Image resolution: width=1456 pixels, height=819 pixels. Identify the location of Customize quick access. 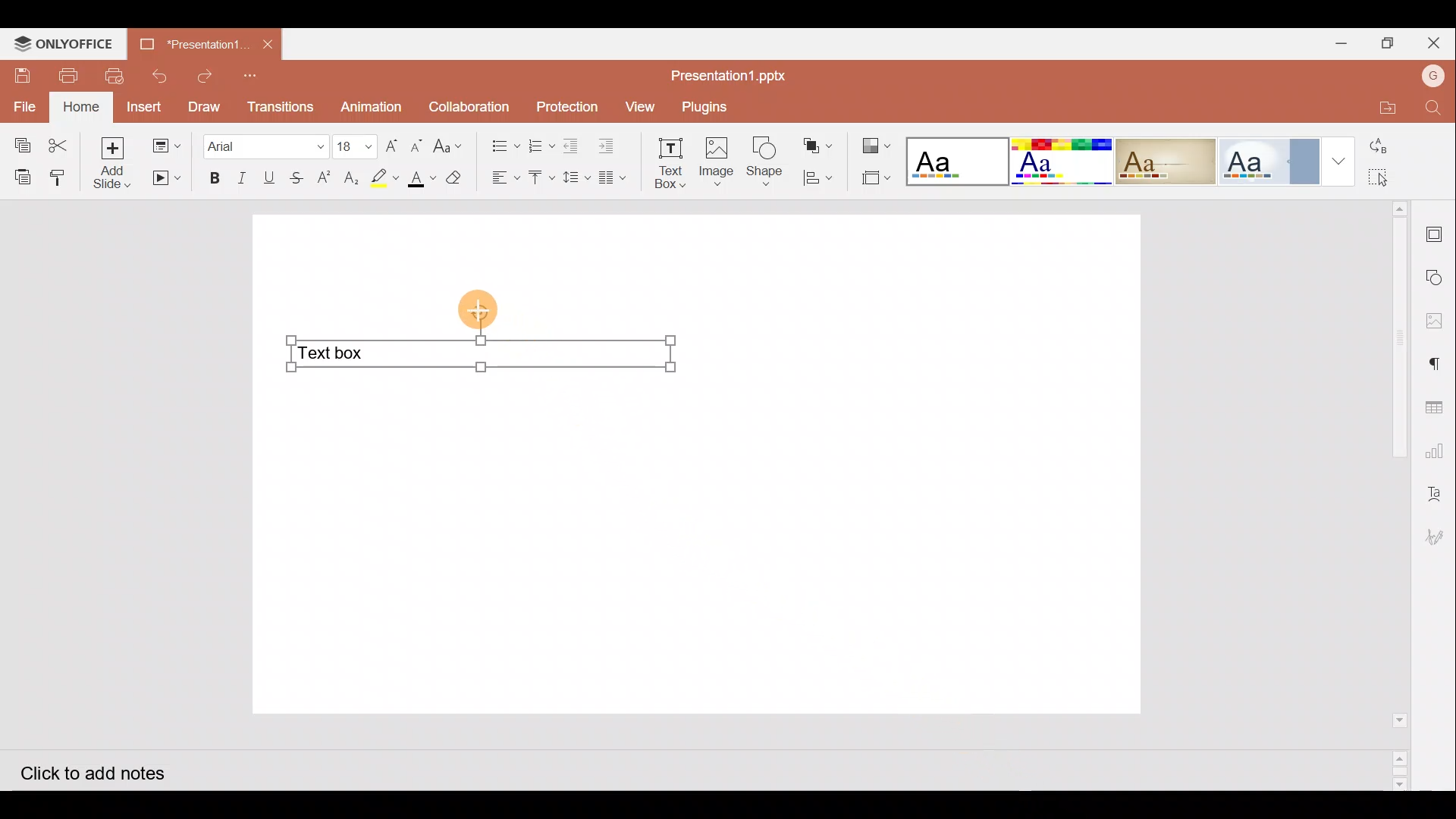
(255, 75).